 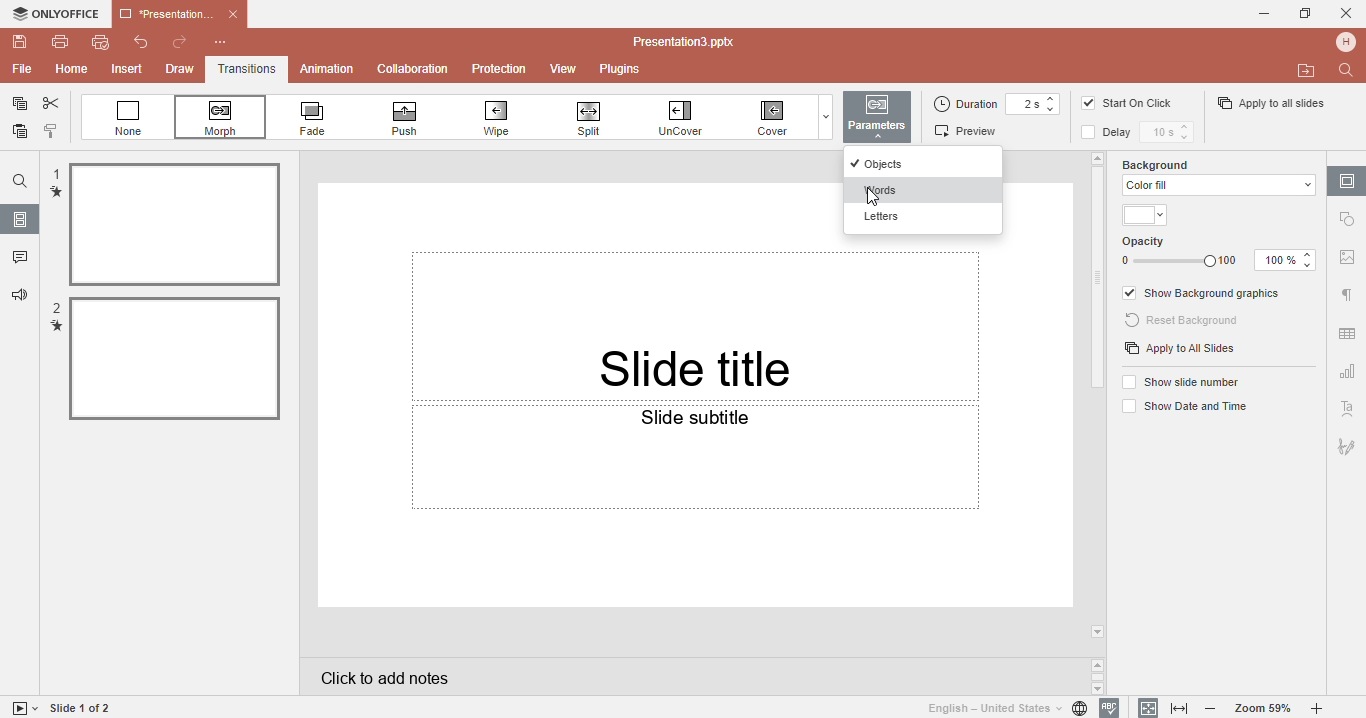 What do you see at coordinates (60, 41) in the screenshot?
I see `Print file` at bounding box center [60, 41].